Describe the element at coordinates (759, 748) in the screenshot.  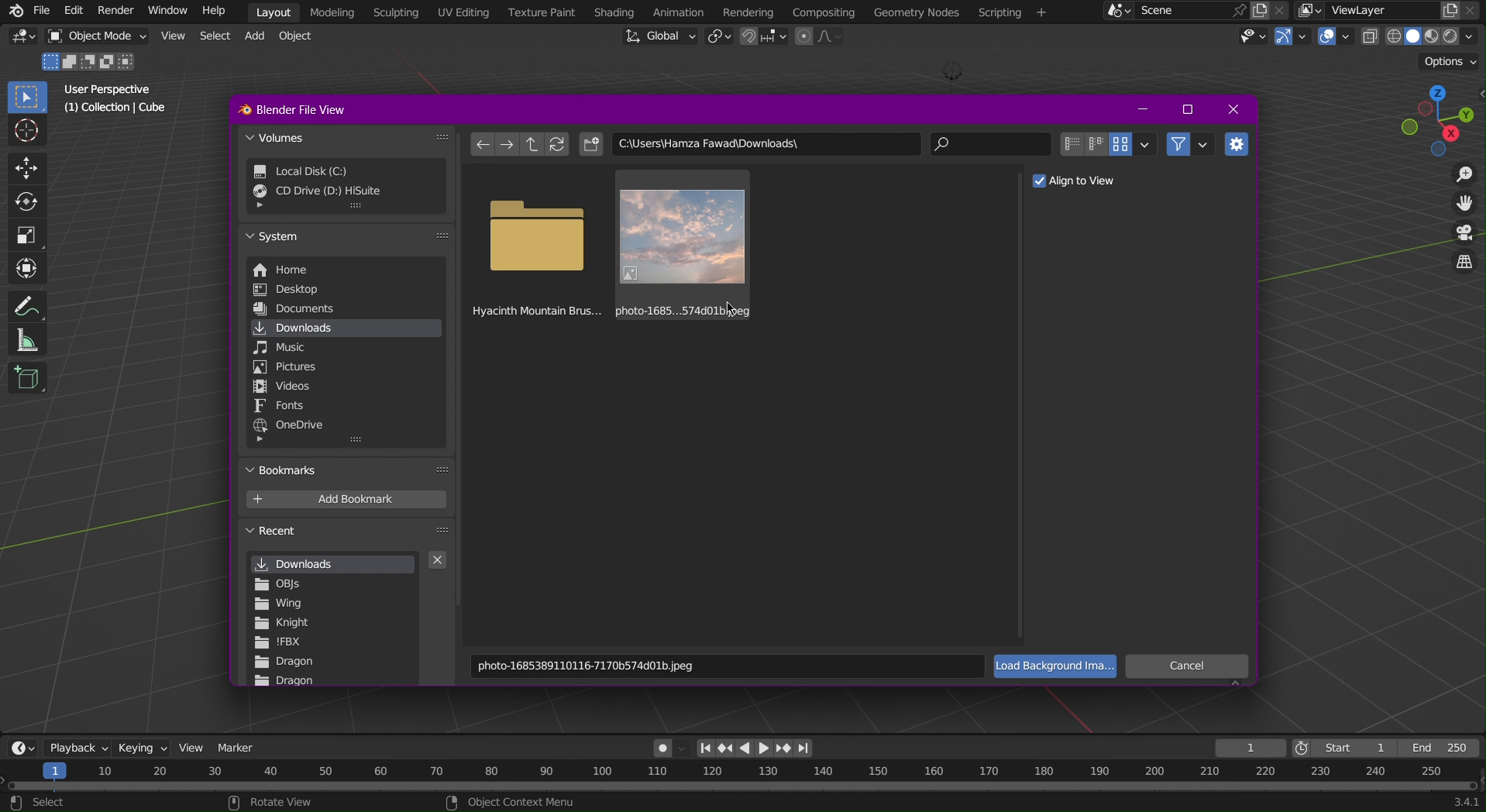
I see `Controls` at that location.